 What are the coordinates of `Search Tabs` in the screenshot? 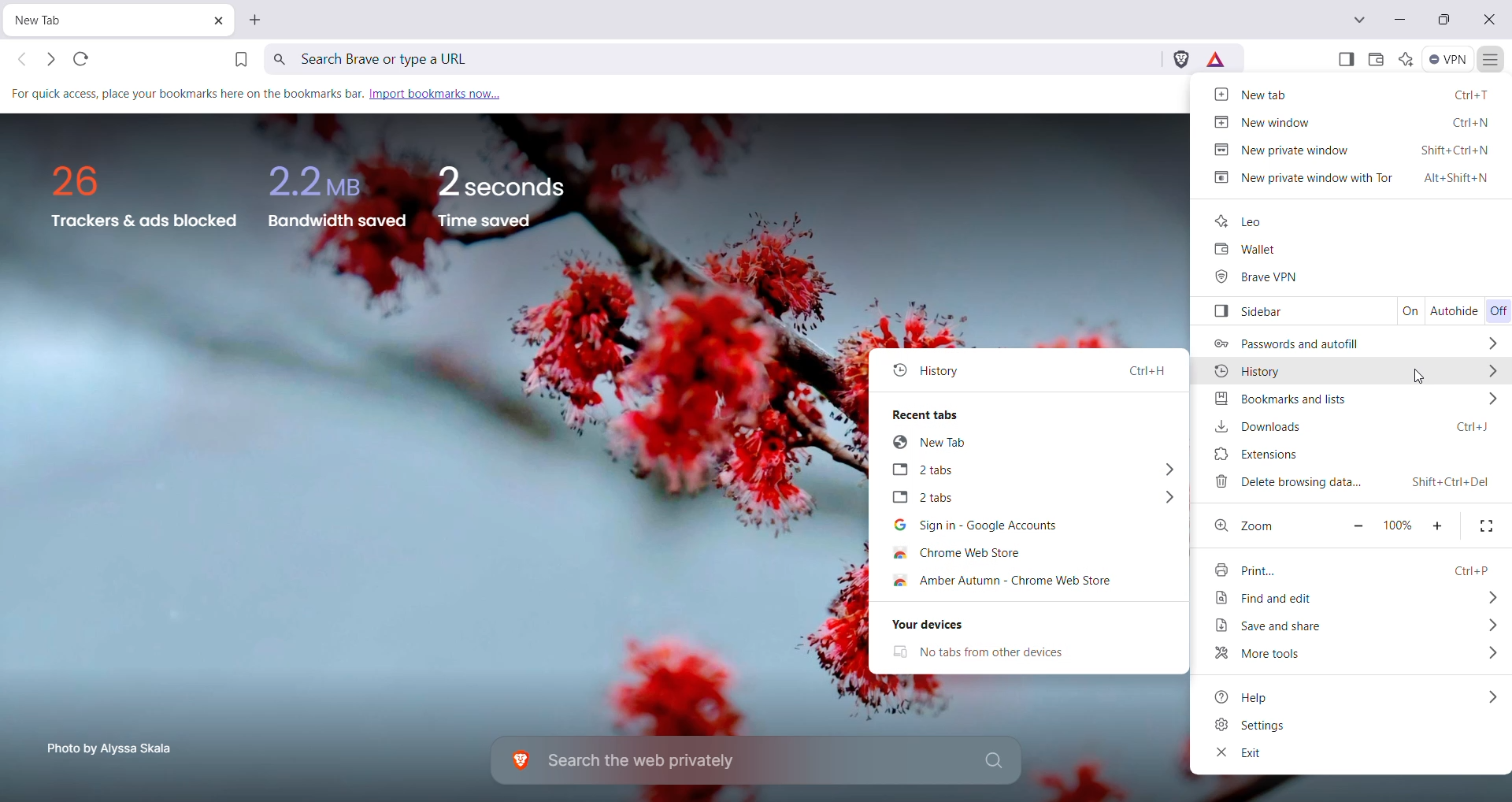 It's located at (1361, 20).